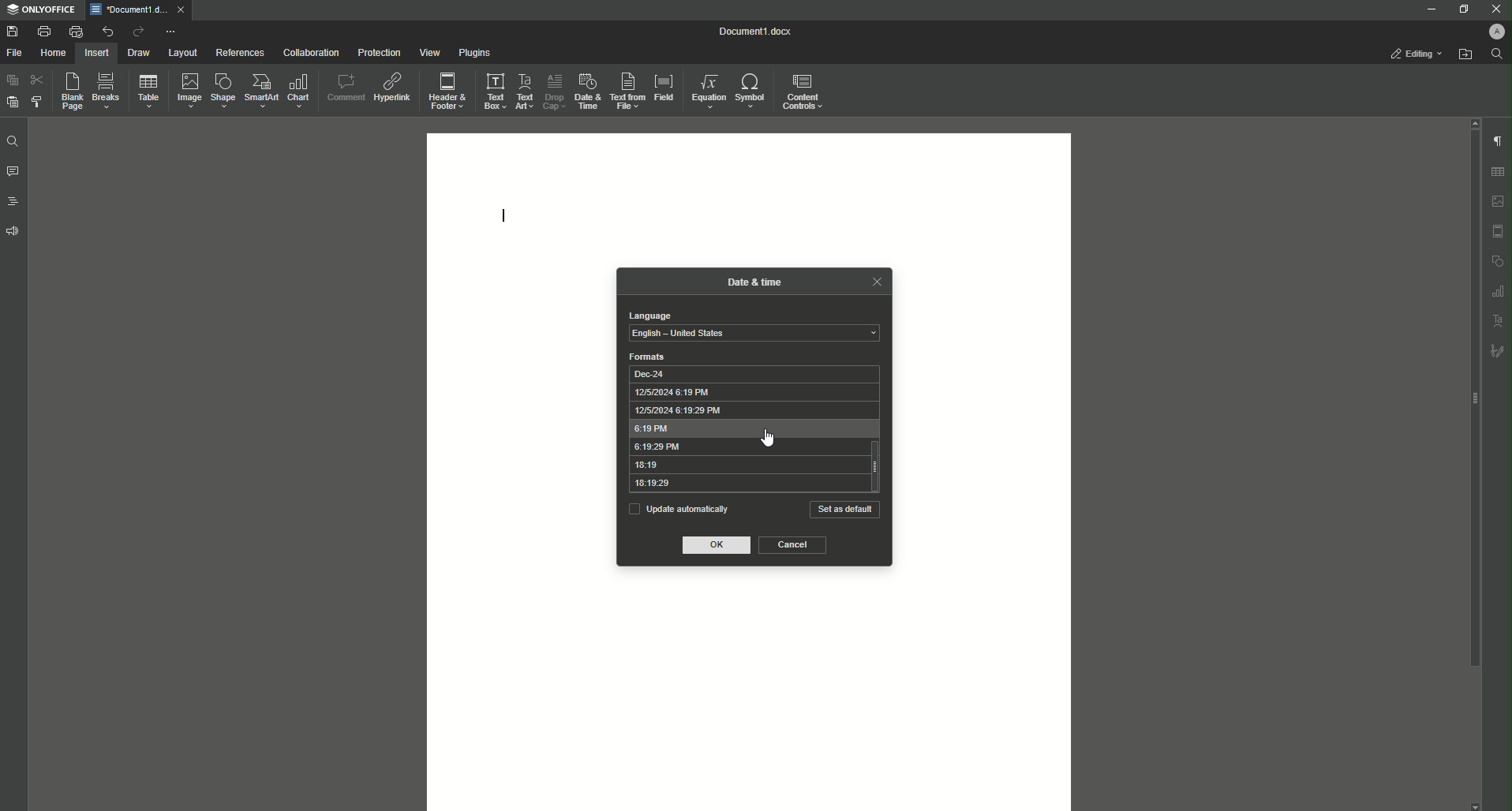  What do you see at coordinates (1497, 172) in the screenshot?
I see `table settings` at bounding box center [1497, 172].